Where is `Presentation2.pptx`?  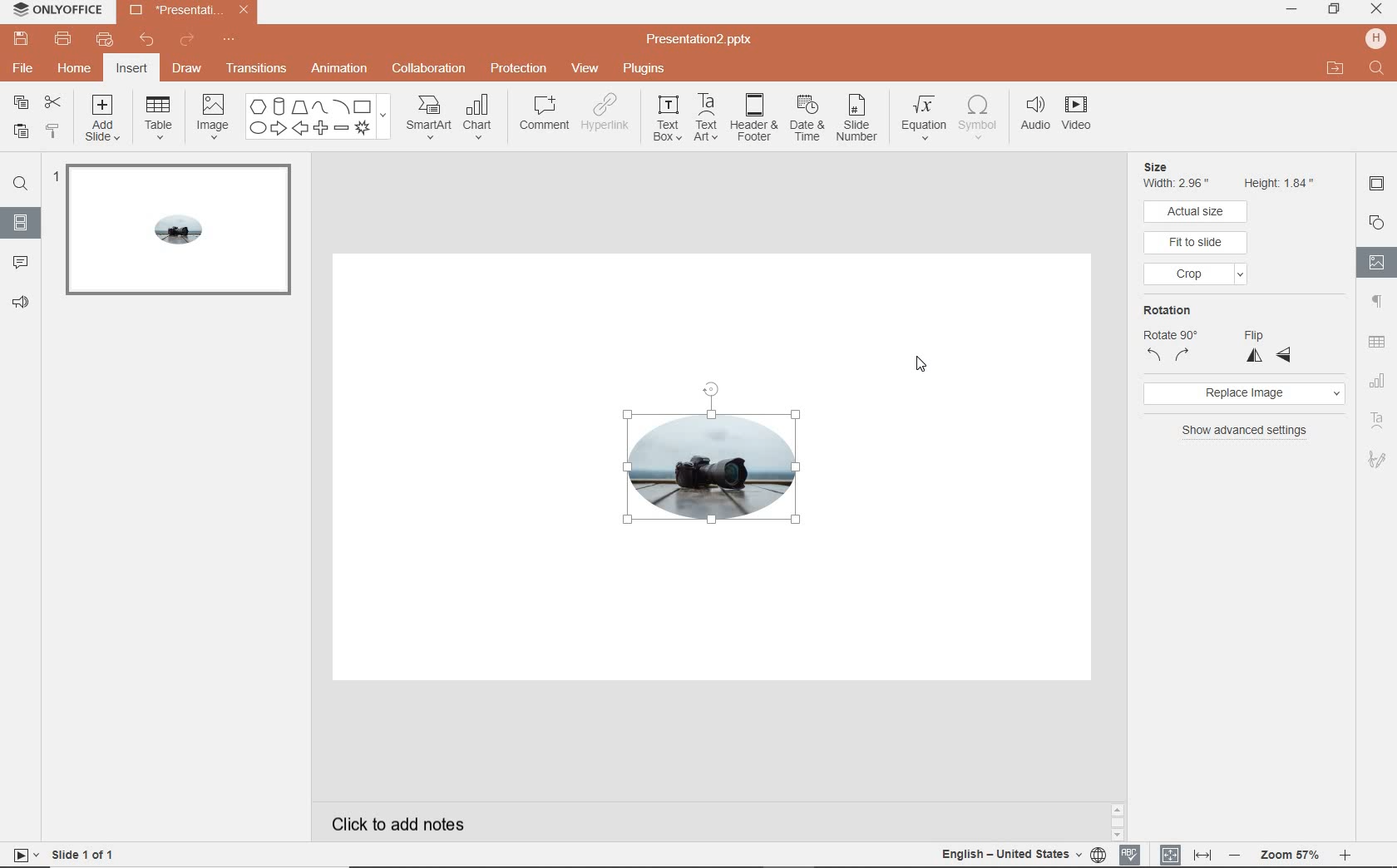
Presentation2.pptx is located at coordinates (714, 37).